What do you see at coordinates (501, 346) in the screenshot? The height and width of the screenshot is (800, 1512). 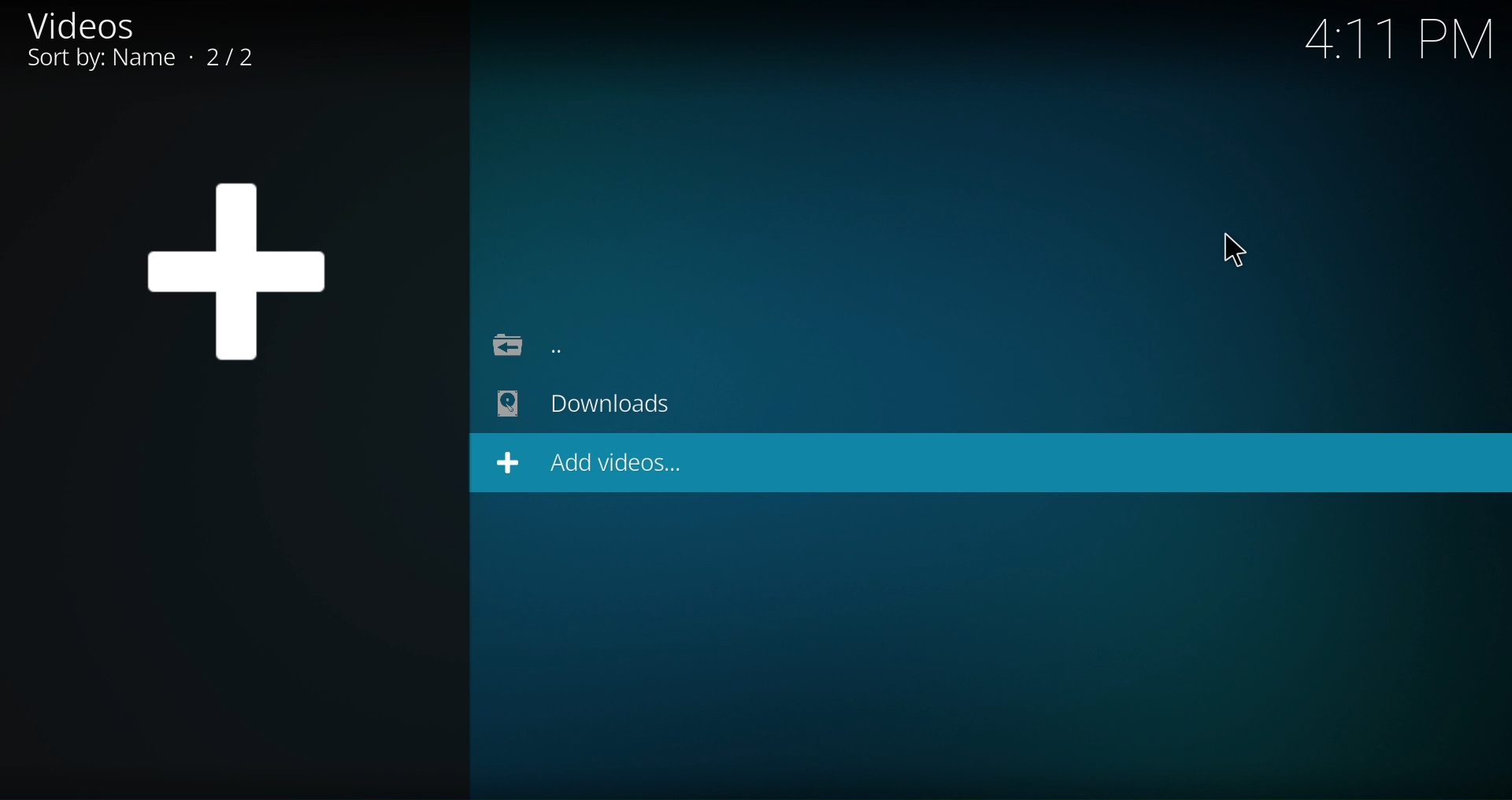 I see `Folder icon` at bounding box center [501, 346].